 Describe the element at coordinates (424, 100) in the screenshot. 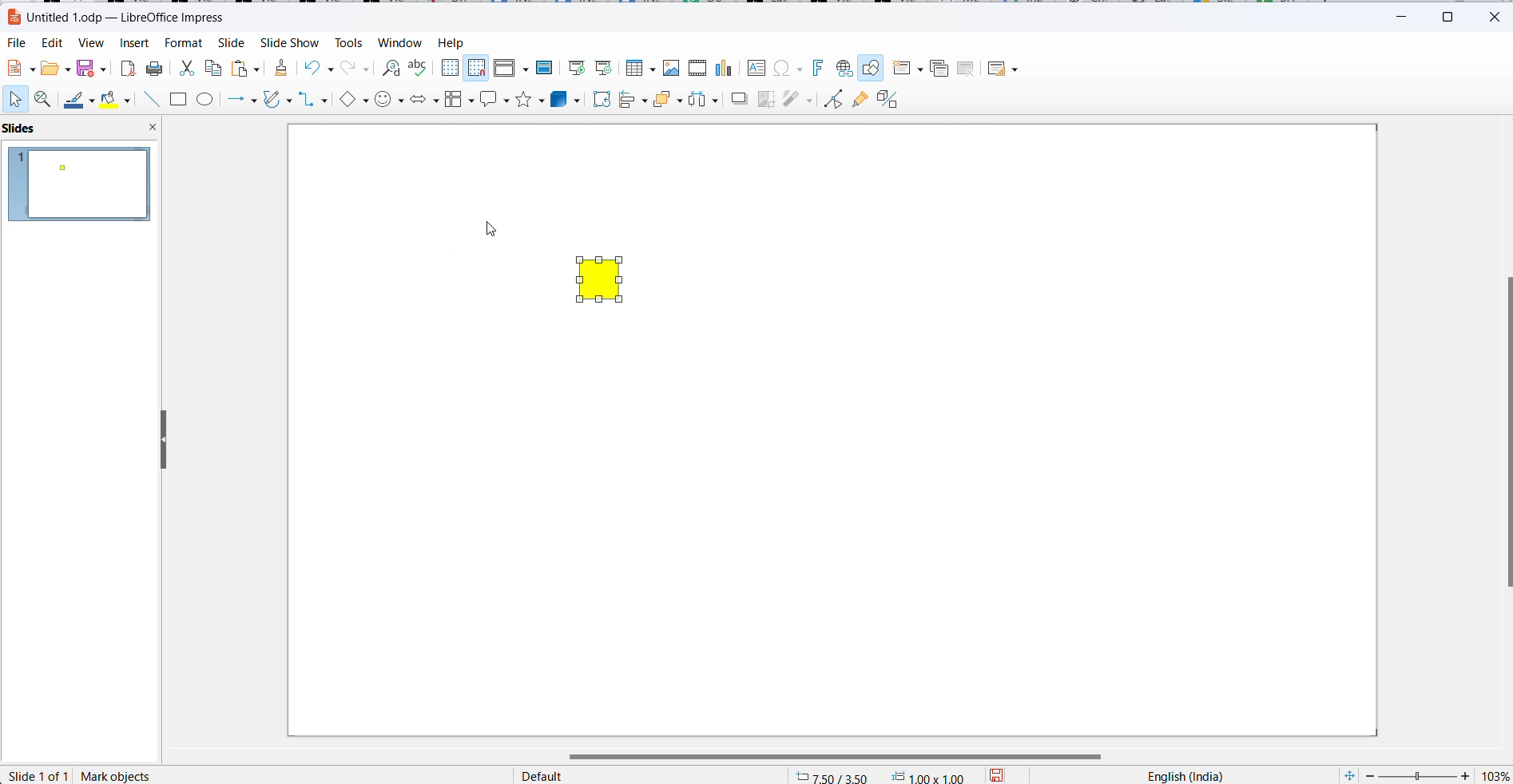

I see `block arrows` at that location.